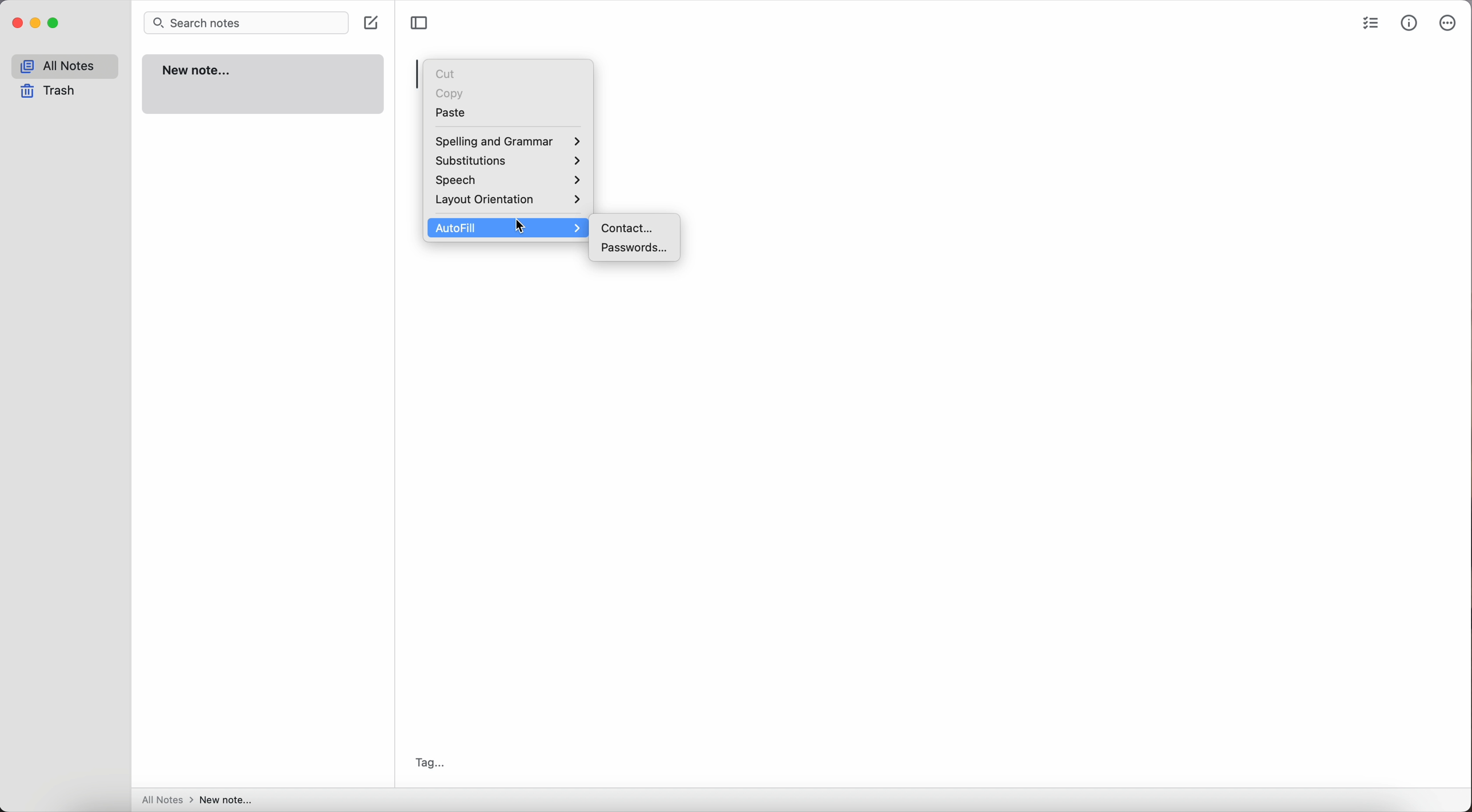  I want to click on new note, so click(264, 85).